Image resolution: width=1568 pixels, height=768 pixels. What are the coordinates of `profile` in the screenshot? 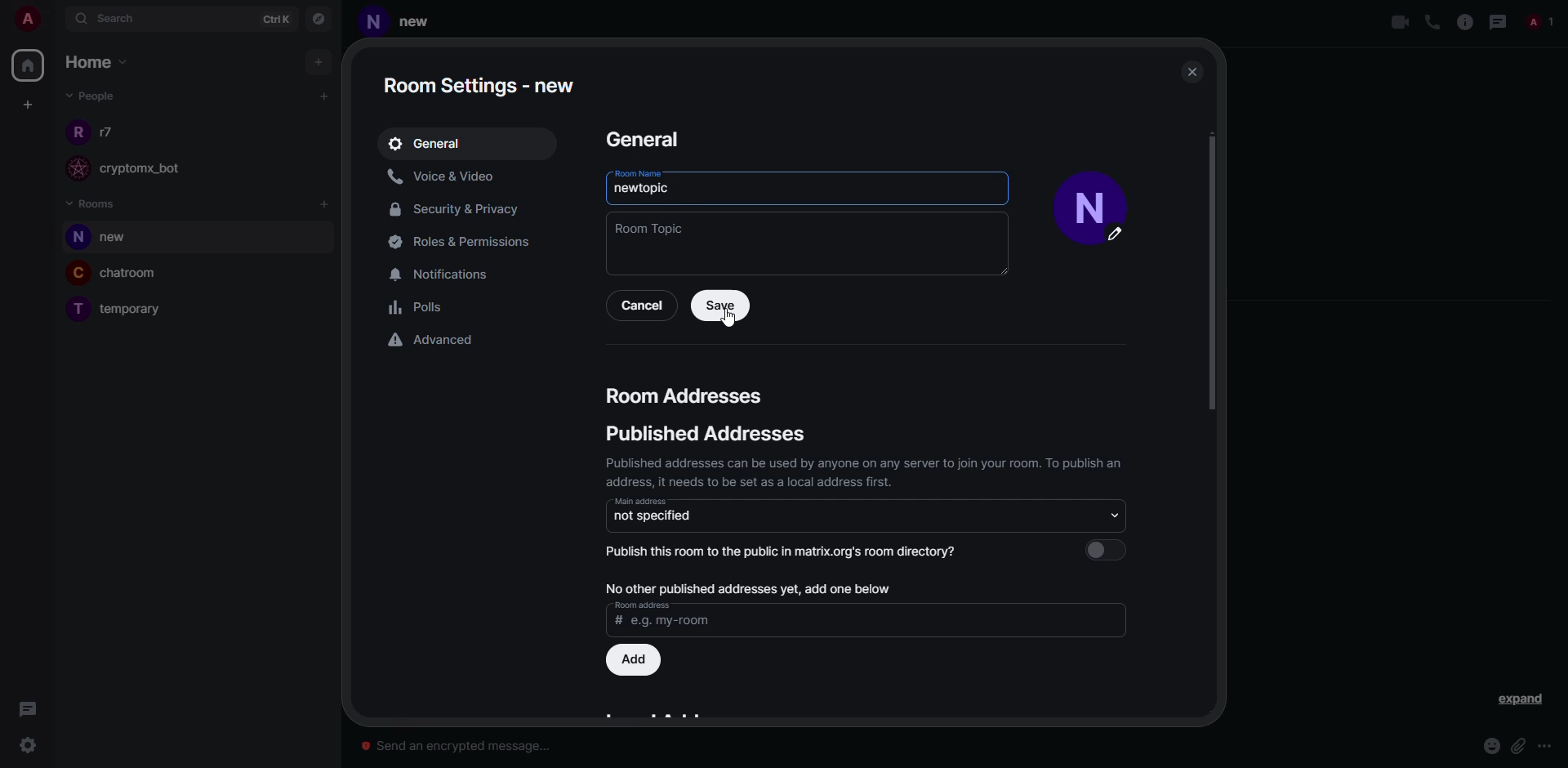 It's located at (373, 25).